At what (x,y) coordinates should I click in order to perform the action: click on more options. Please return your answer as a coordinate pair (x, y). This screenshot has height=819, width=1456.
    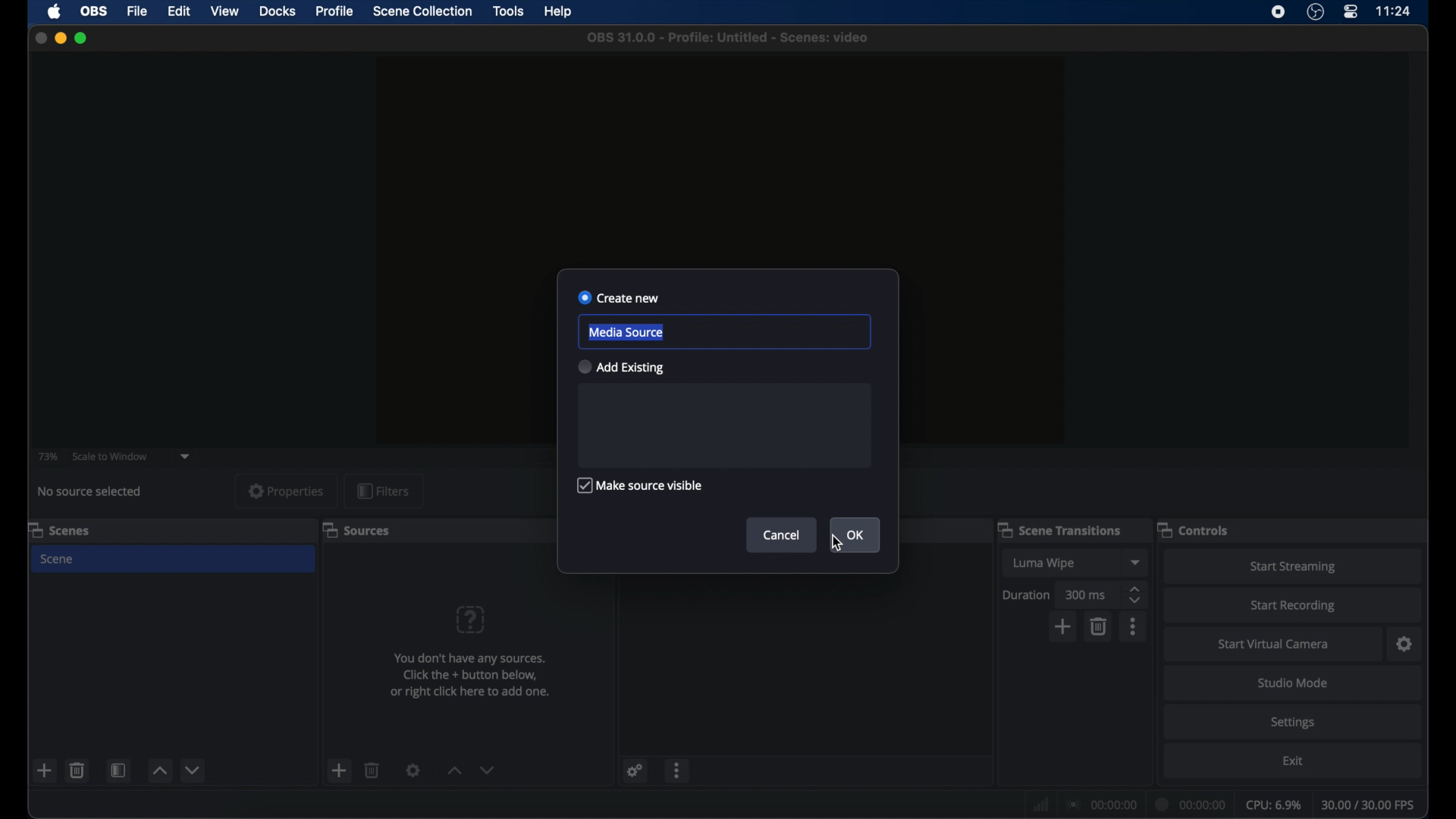
    Looking at the image, I should click on (679, 770).